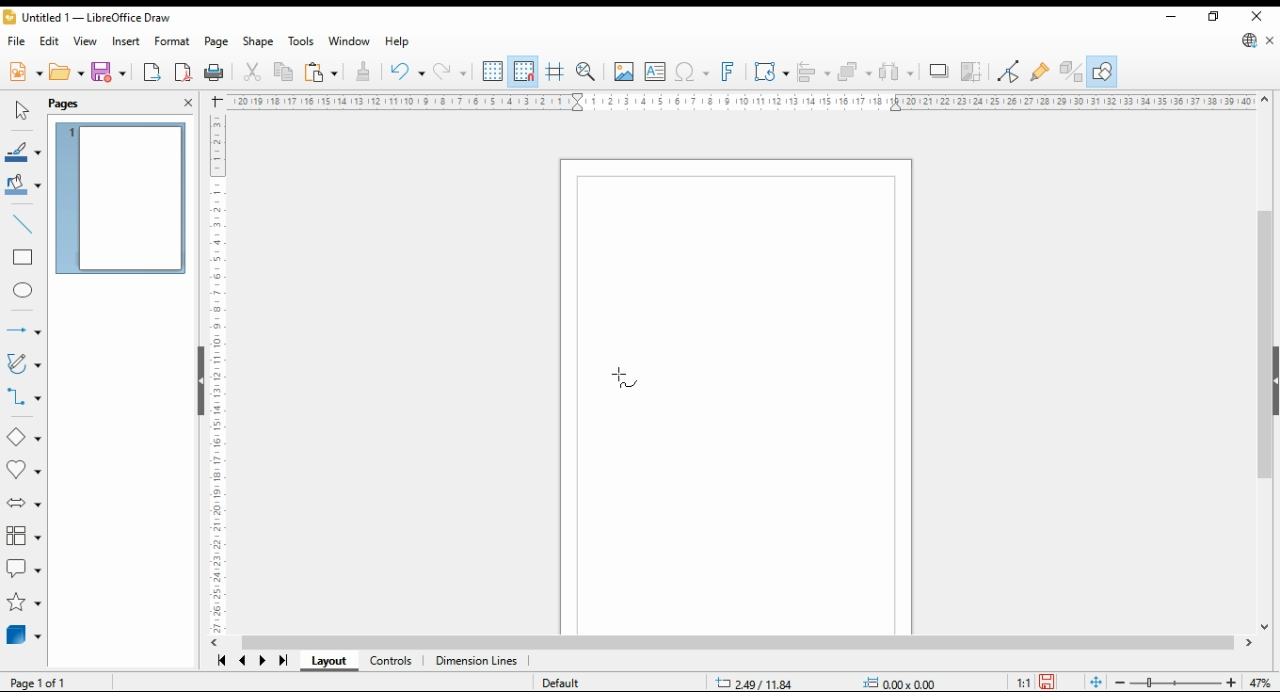 This screenshot has height=692, width=1280. What do you see at coordinates (262, 661) in the screenshot?
I see `next page` at bounding box center [262, 661].